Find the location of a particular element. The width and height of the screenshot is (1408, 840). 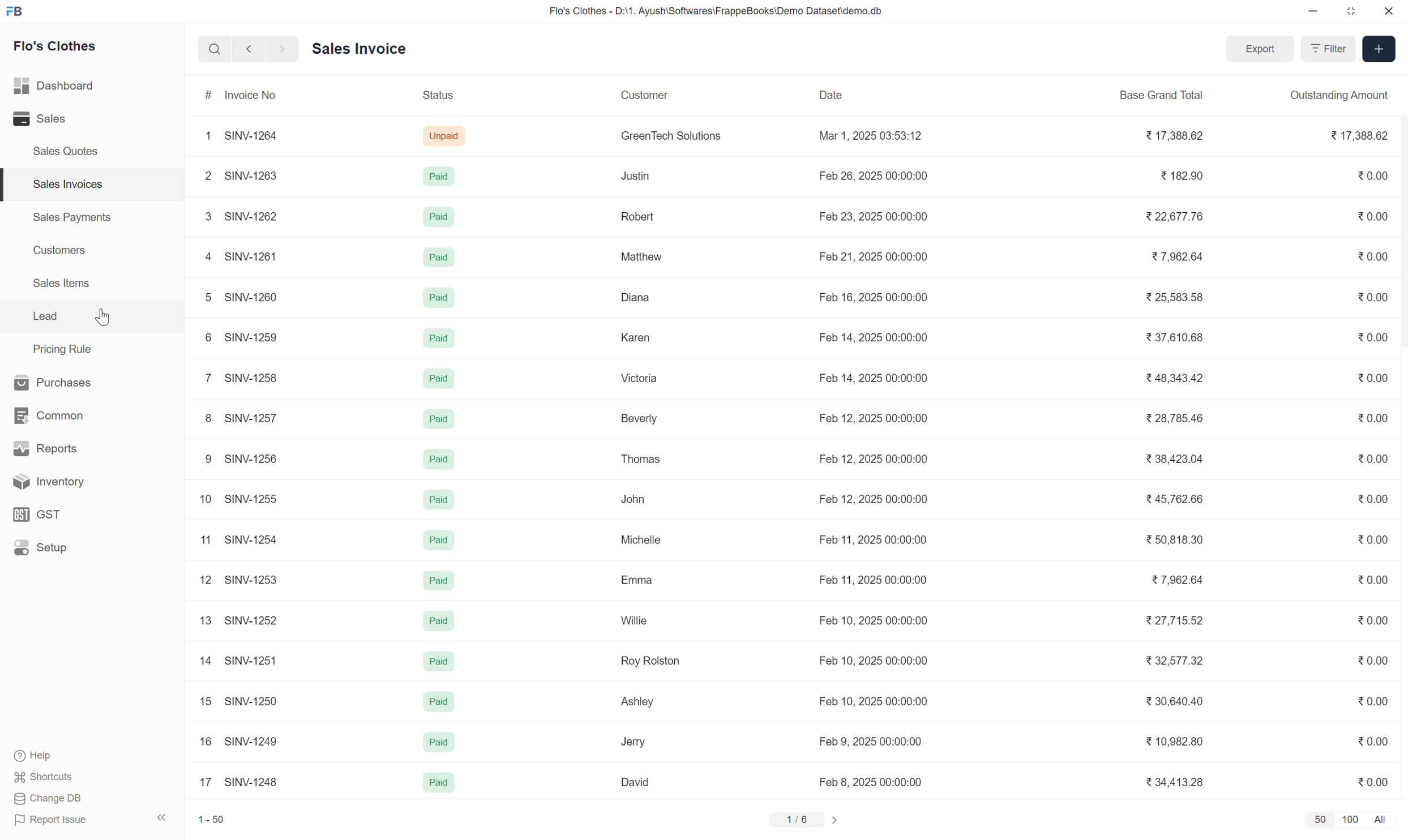

317,388.62 is located at coordinates (1169, 136).